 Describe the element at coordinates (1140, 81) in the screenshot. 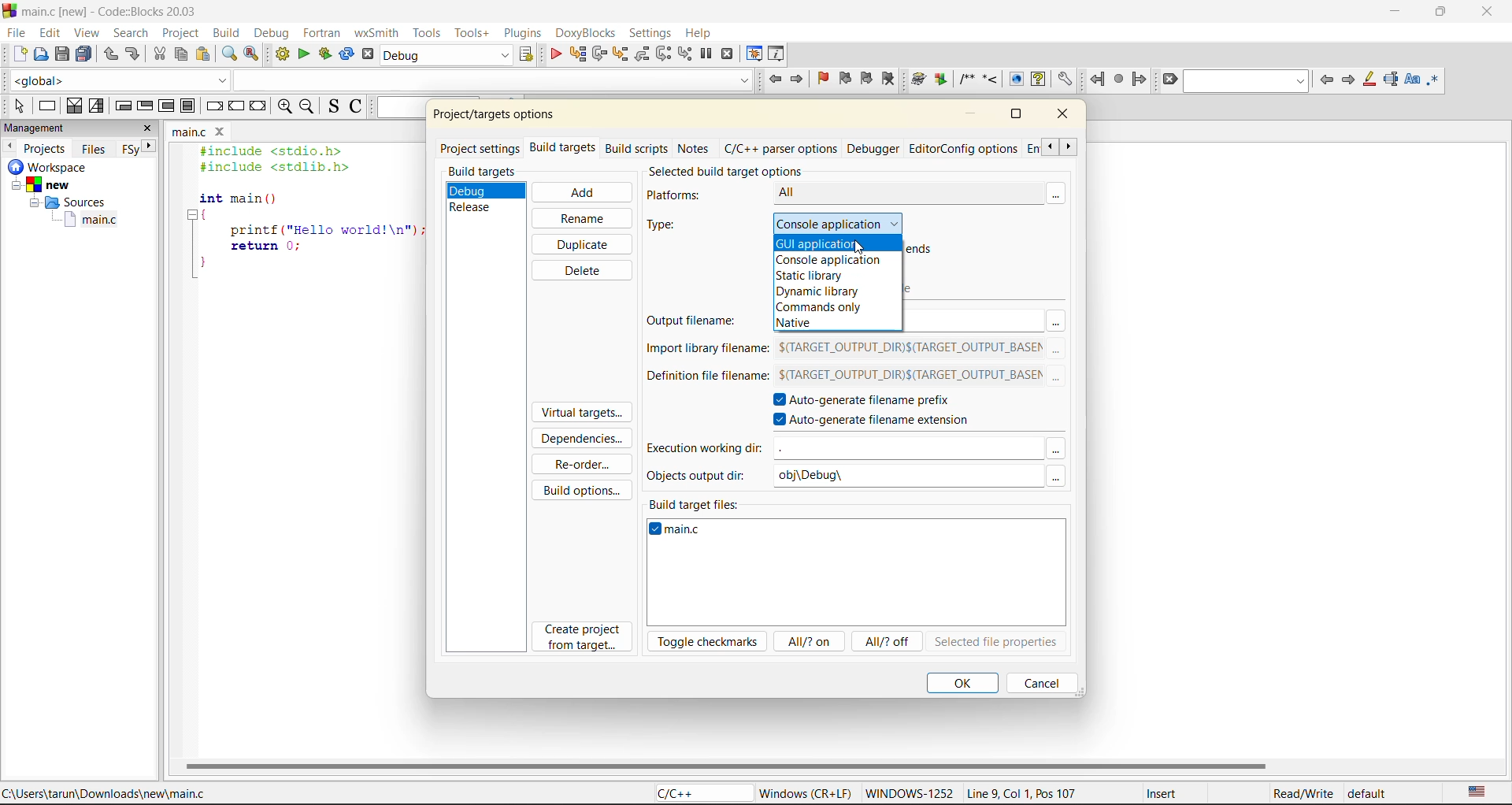

I see `jump forward` at that location.